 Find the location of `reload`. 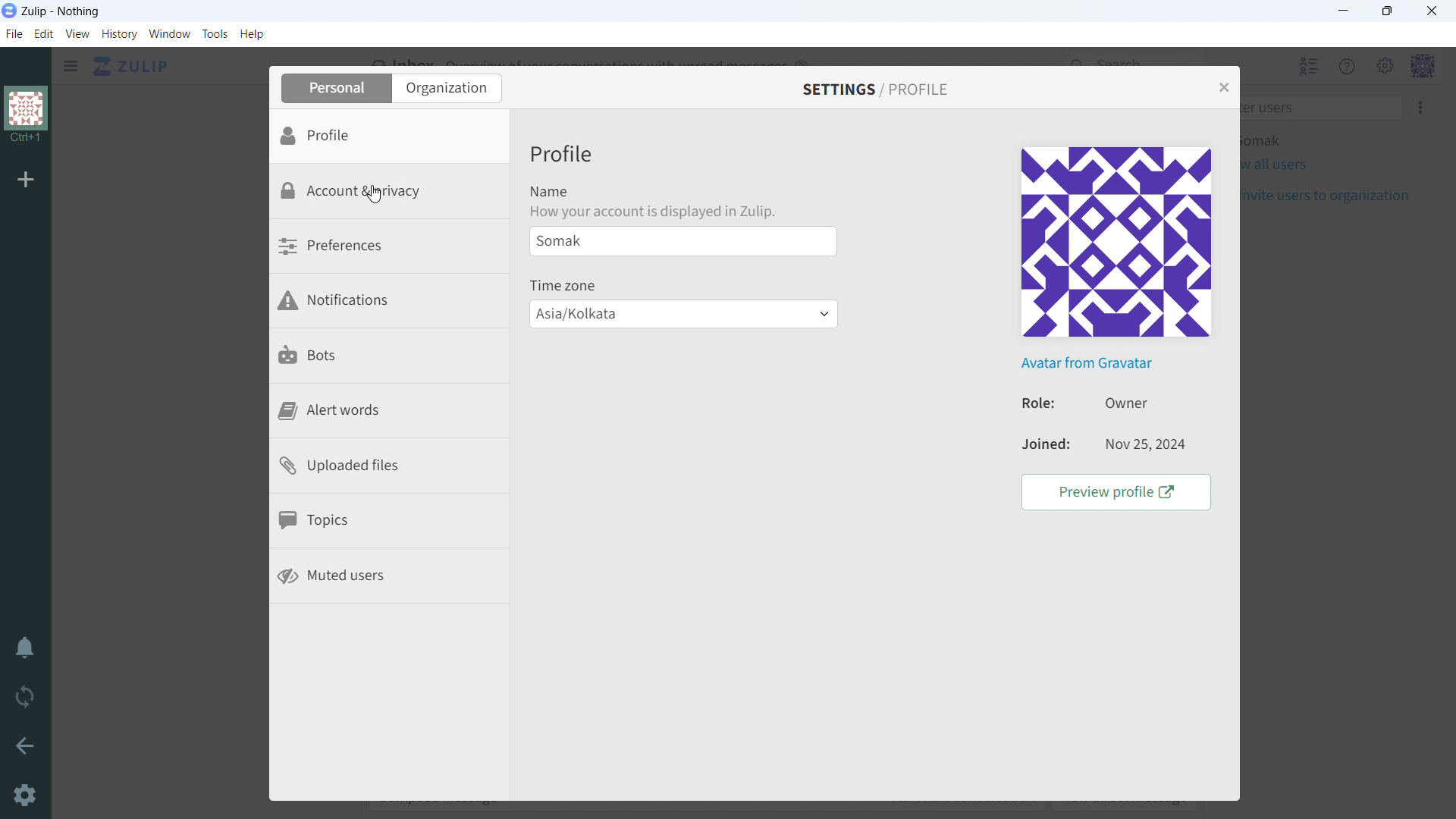

reload is located at coordinates (24, 695).